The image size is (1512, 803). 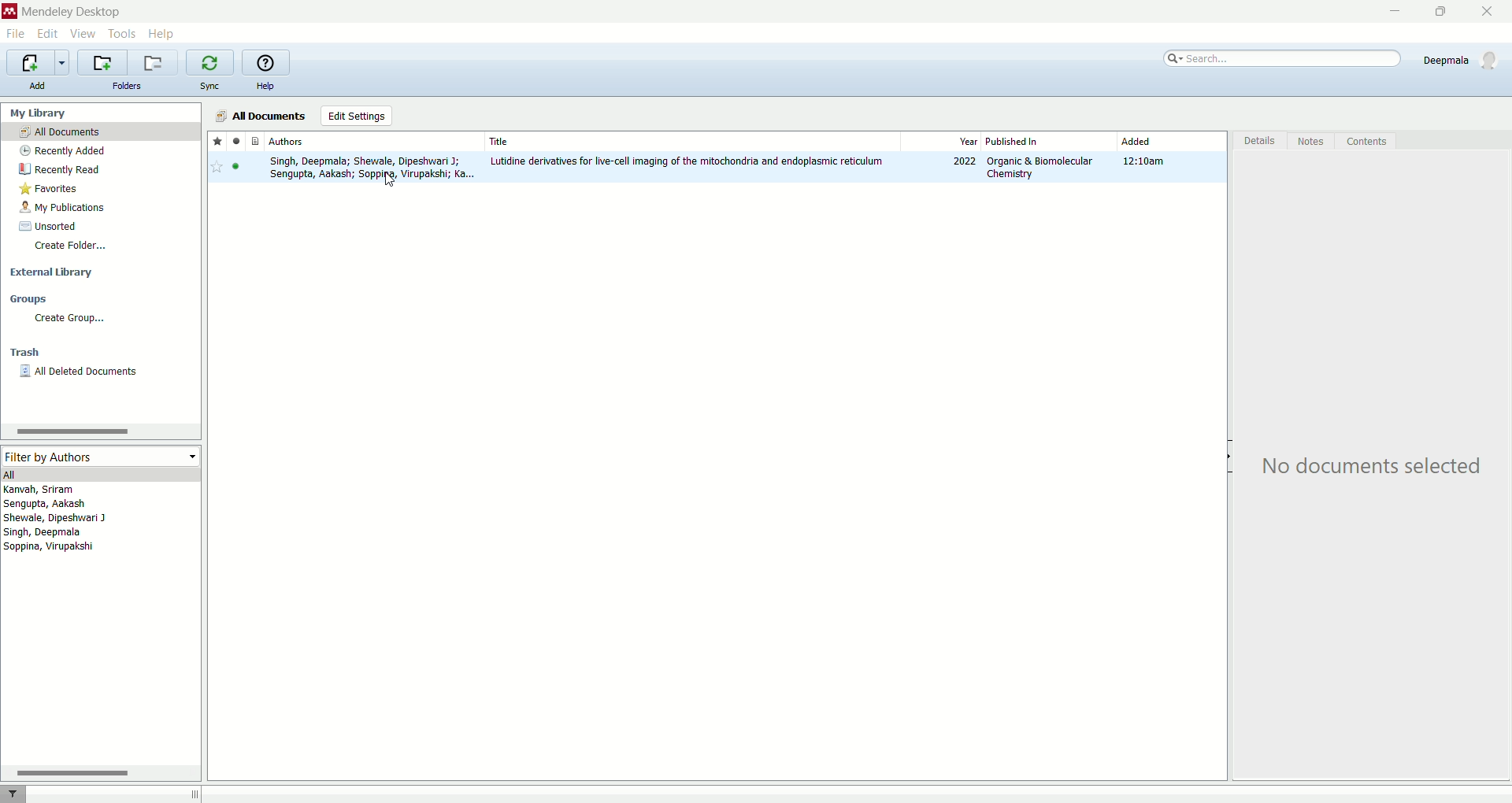 What do you see at coordinates (217, 168) in the screenshot?
I see `Bookmark` at bounding box center [217, 168].